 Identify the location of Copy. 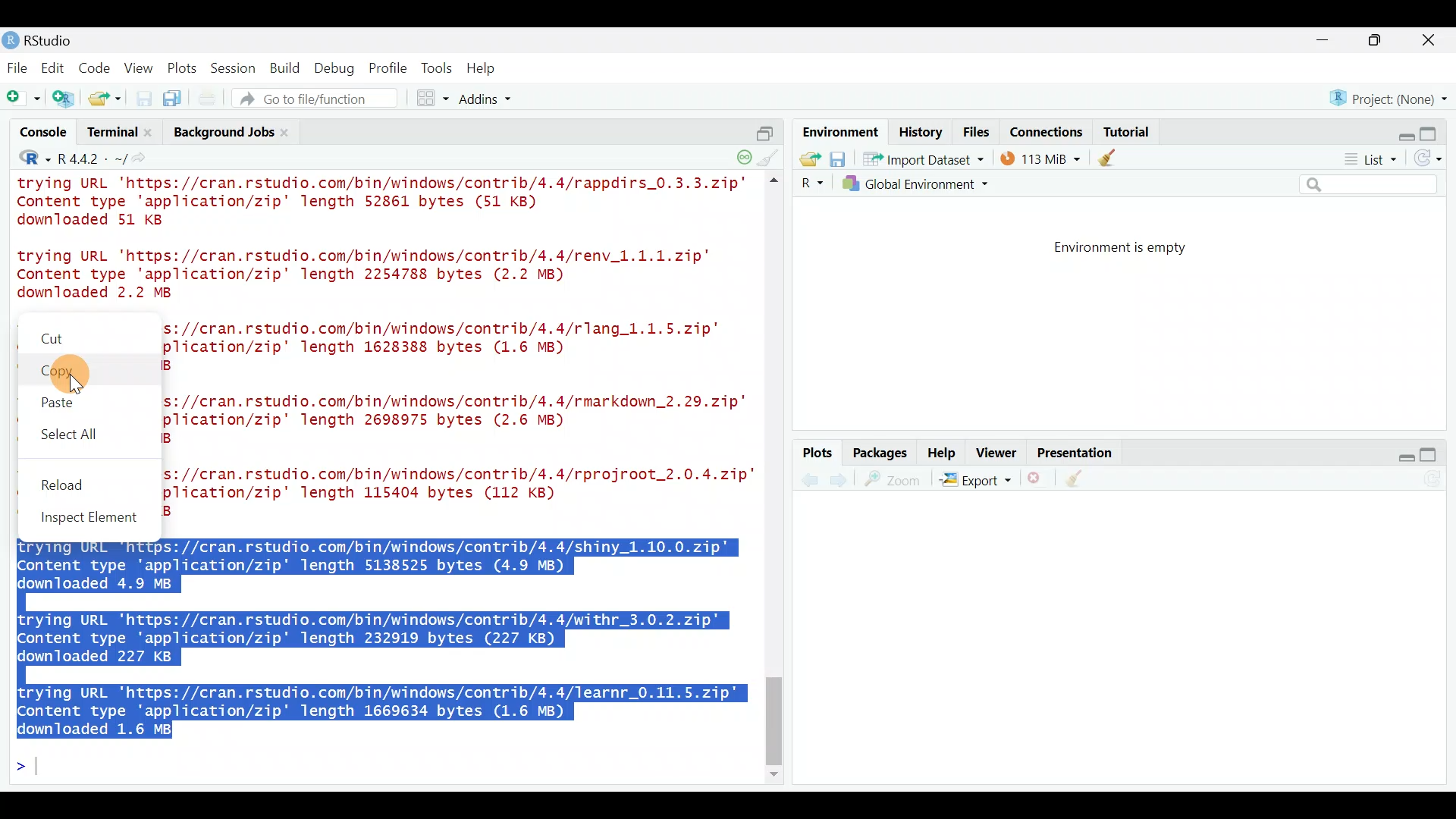
(82, 371).